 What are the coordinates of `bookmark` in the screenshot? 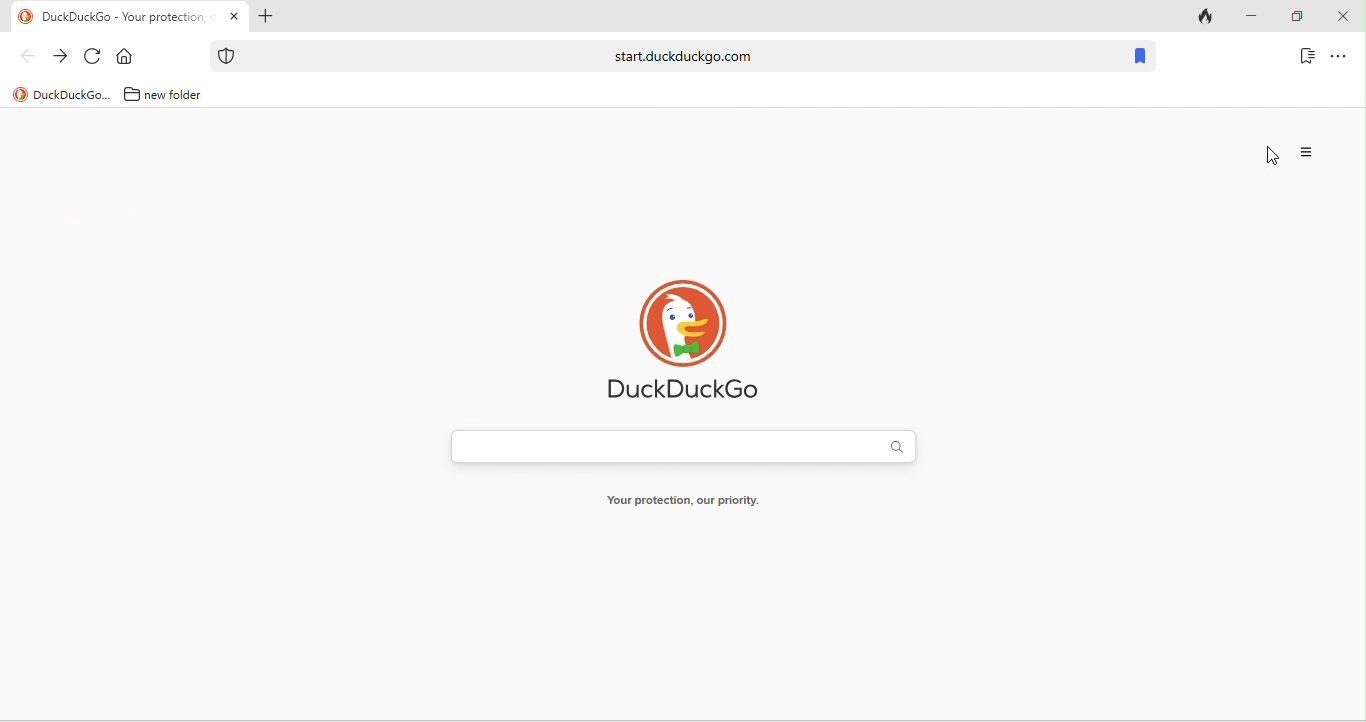 It's located at (1304, 53).